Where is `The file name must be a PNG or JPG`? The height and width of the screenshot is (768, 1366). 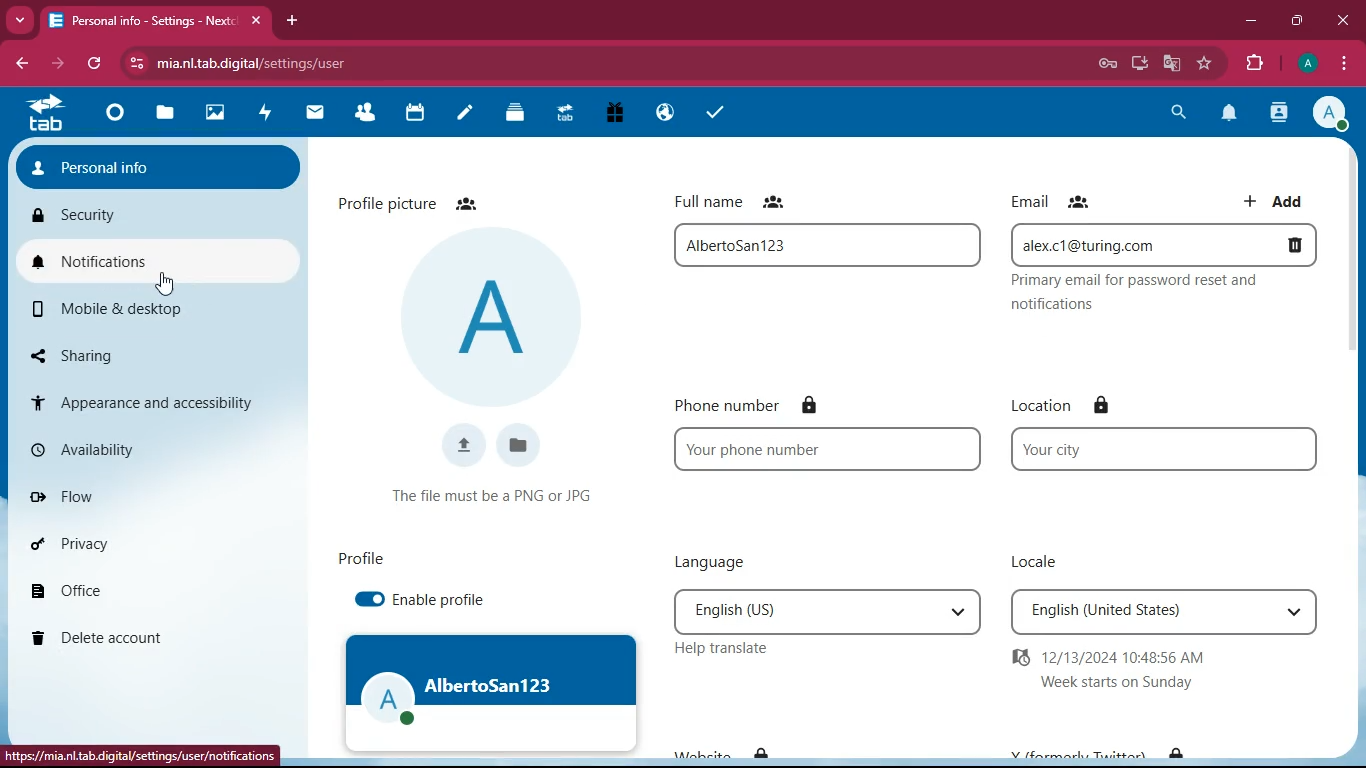
The file name must be a PNG or JPG is located at coordinates (497, 495).